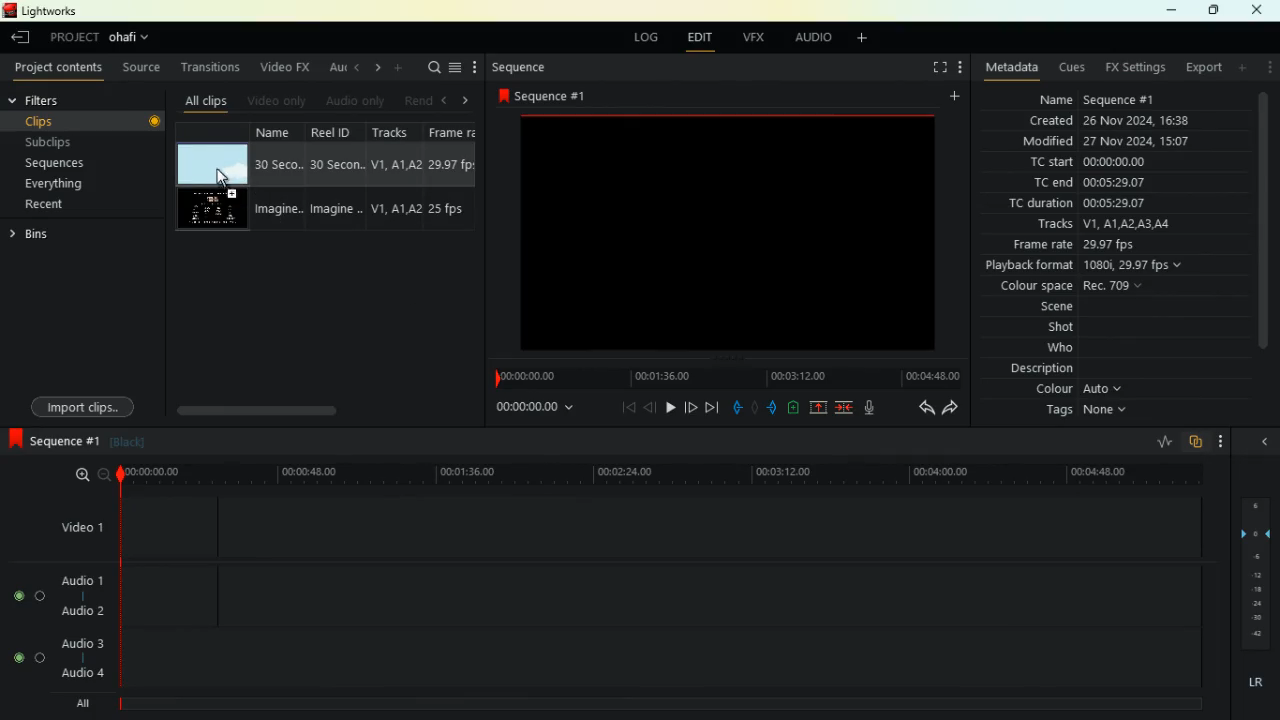  Describe the element at coordinates (1047, 349) in the screenshot. I see `who` at that location.